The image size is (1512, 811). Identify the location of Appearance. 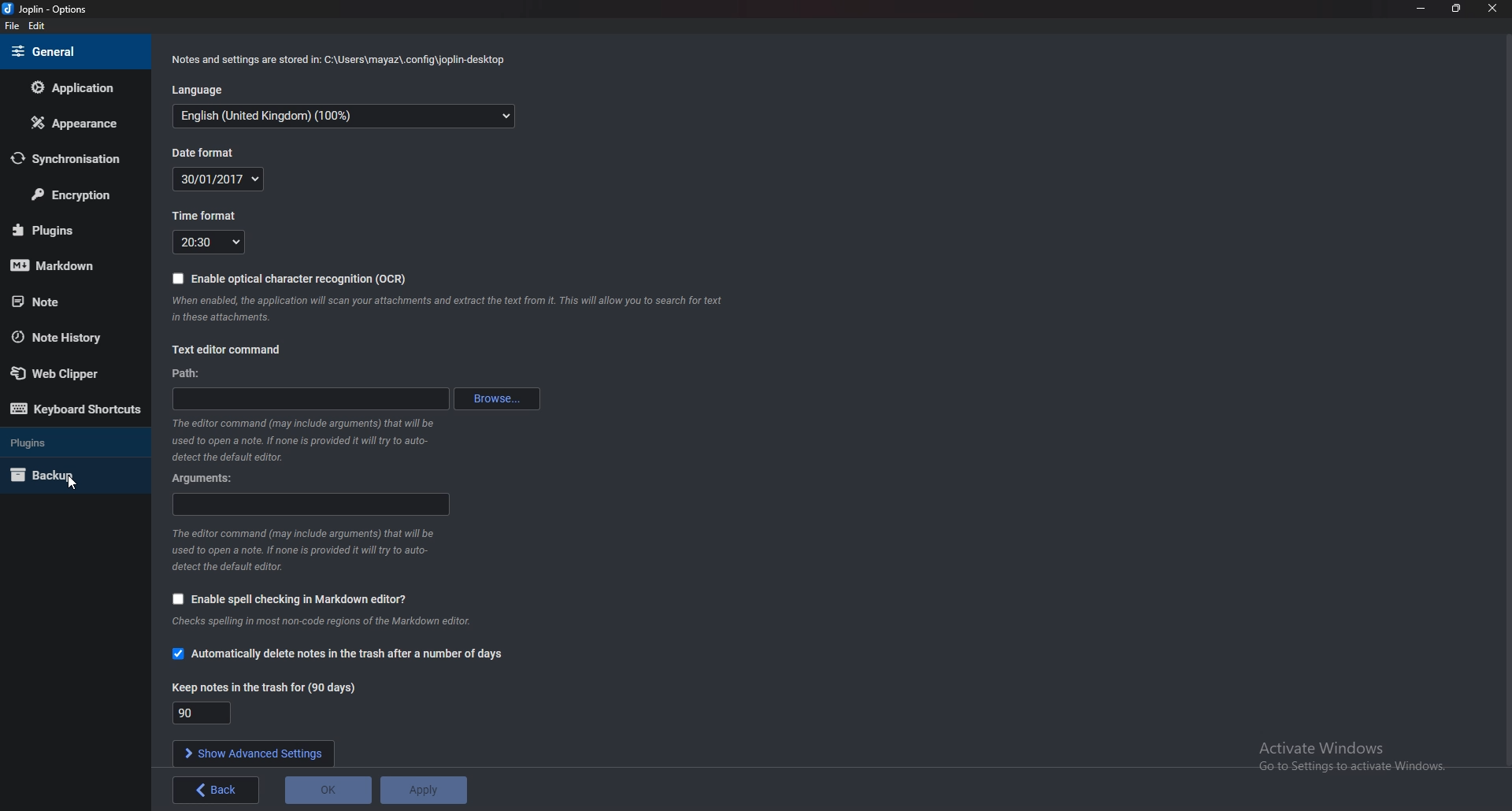
(74, 124).